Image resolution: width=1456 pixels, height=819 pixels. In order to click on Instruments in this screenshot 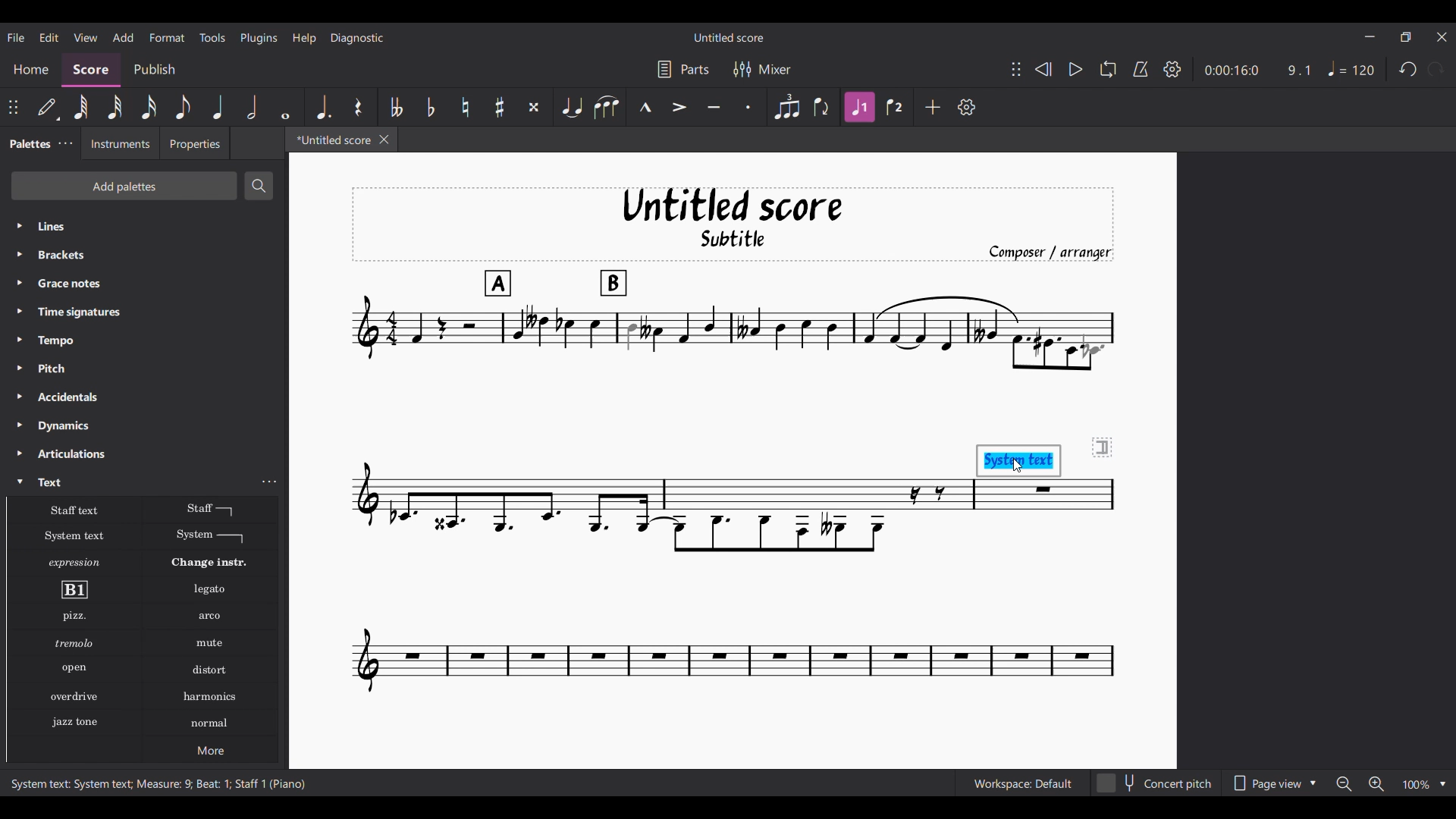, I will do `click(119, 143)`.